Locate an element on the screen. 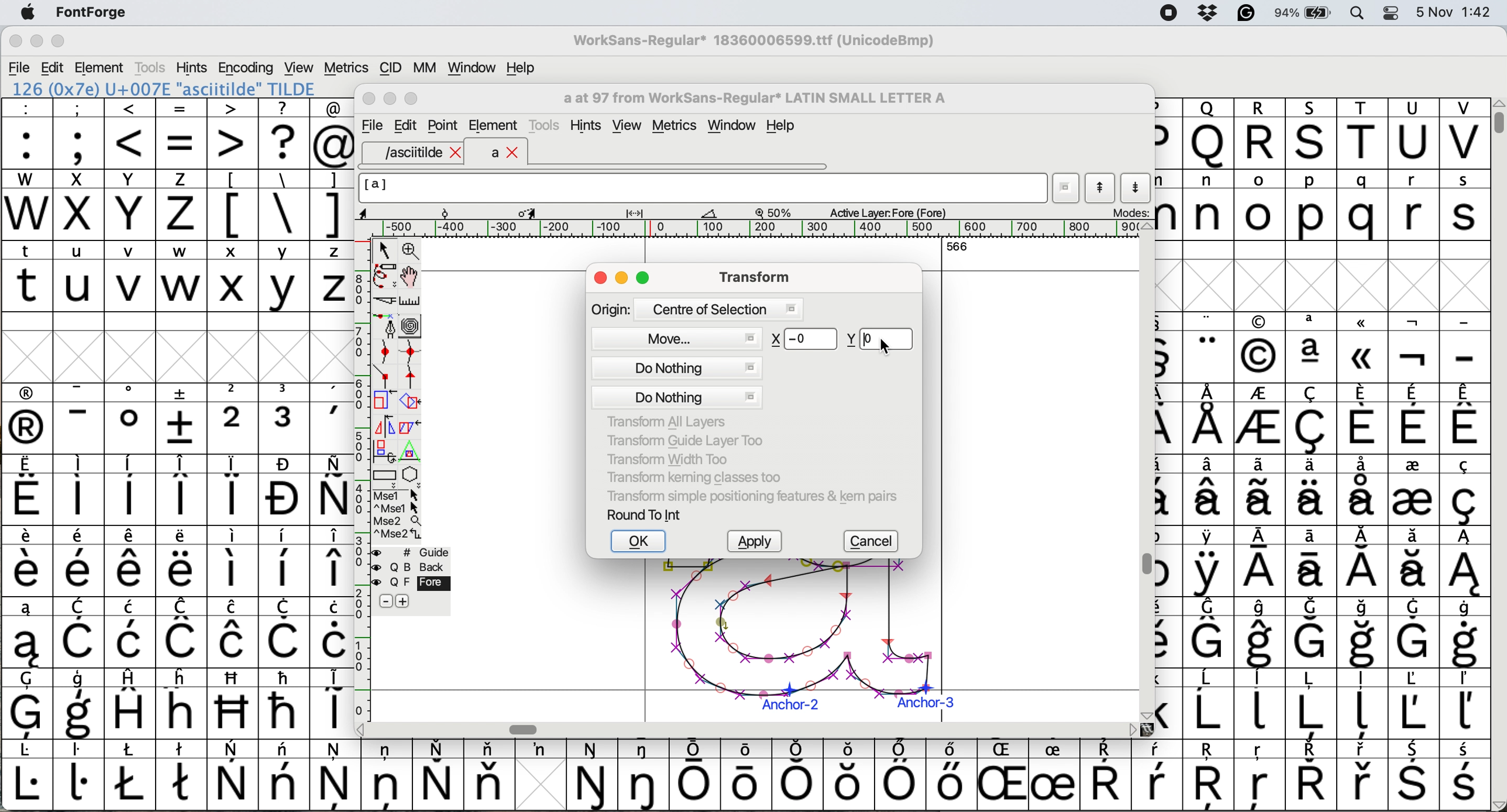 This screenshot has height=812, width=1507. hints is located at coordinates (588, 126).